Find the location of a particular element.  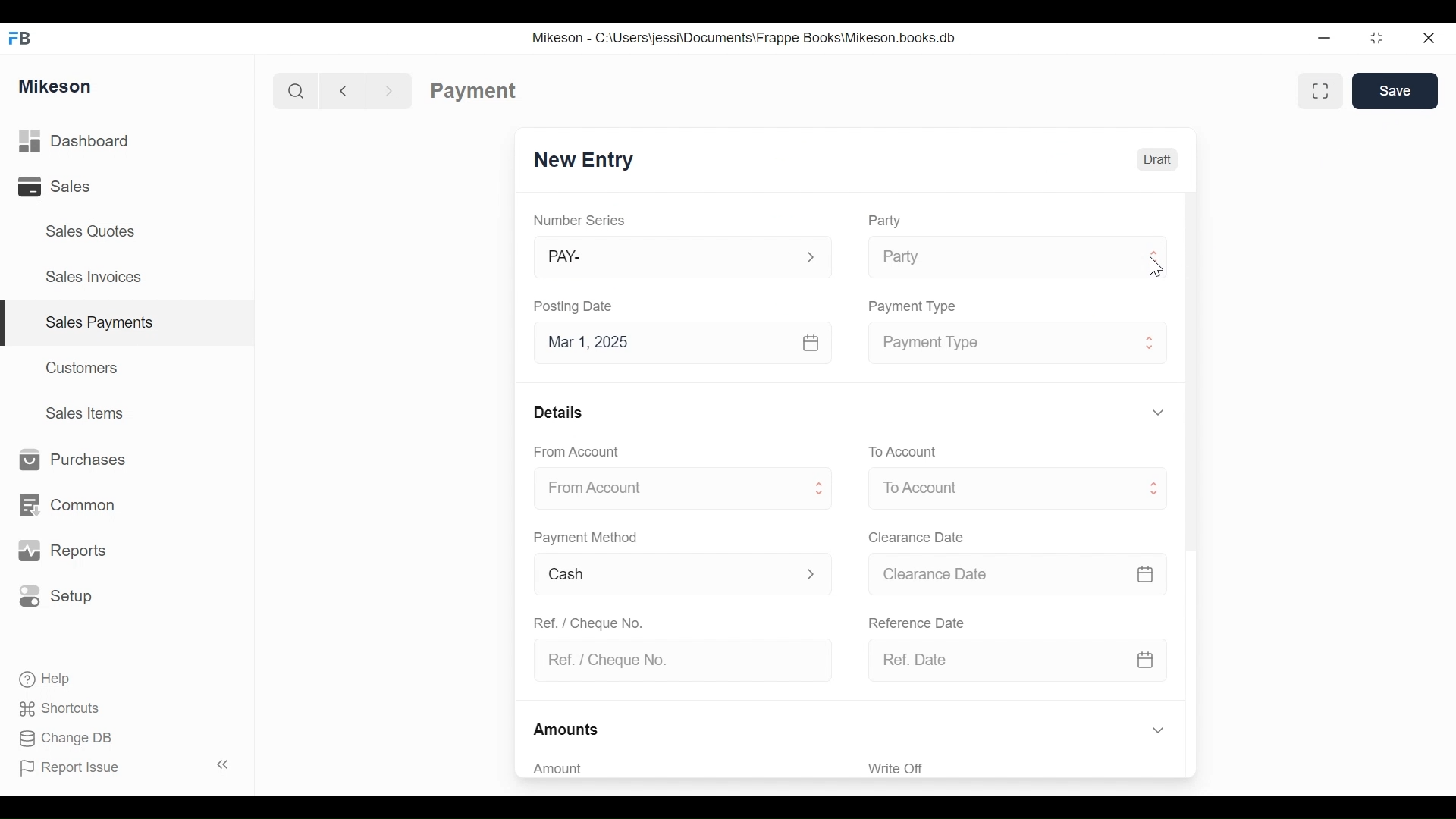

Maximize is located at coordinates (1374, 40).